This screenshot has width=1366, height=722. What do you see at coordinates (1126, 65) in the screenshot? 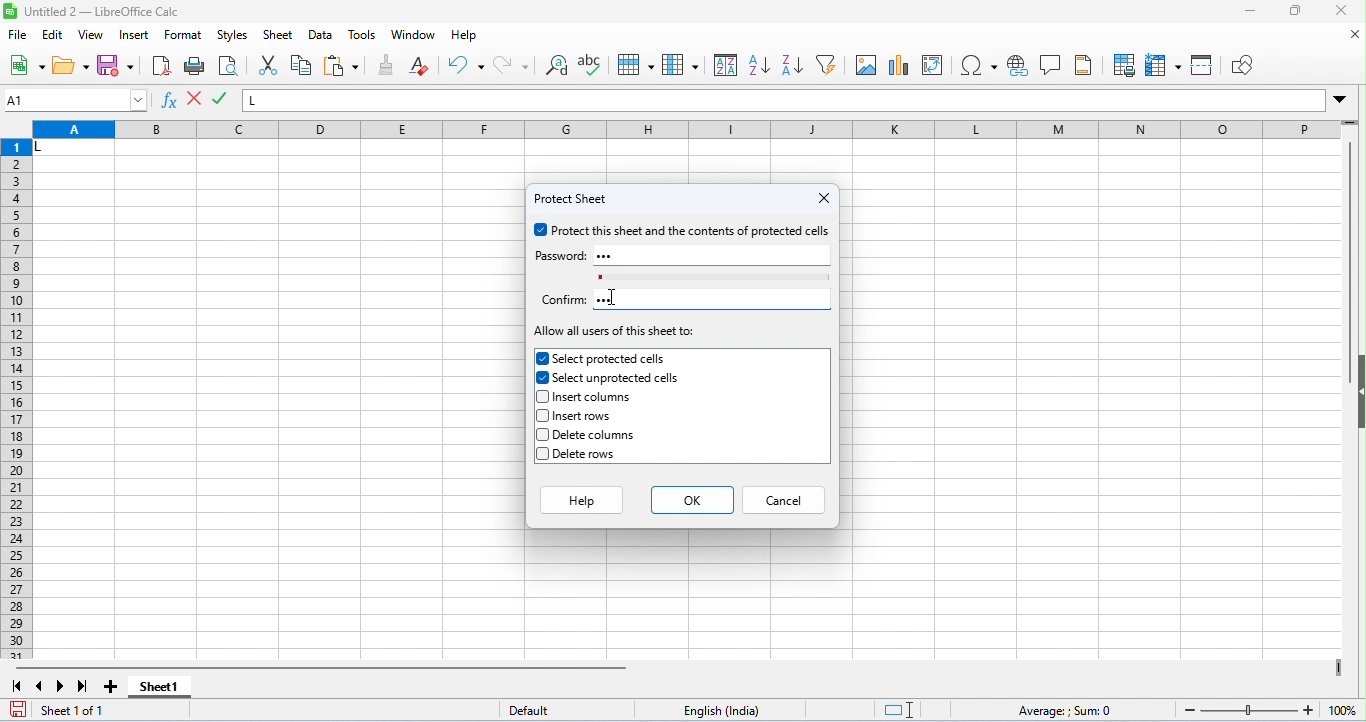
I see `define print preview` at bounding box center [1126, 65].